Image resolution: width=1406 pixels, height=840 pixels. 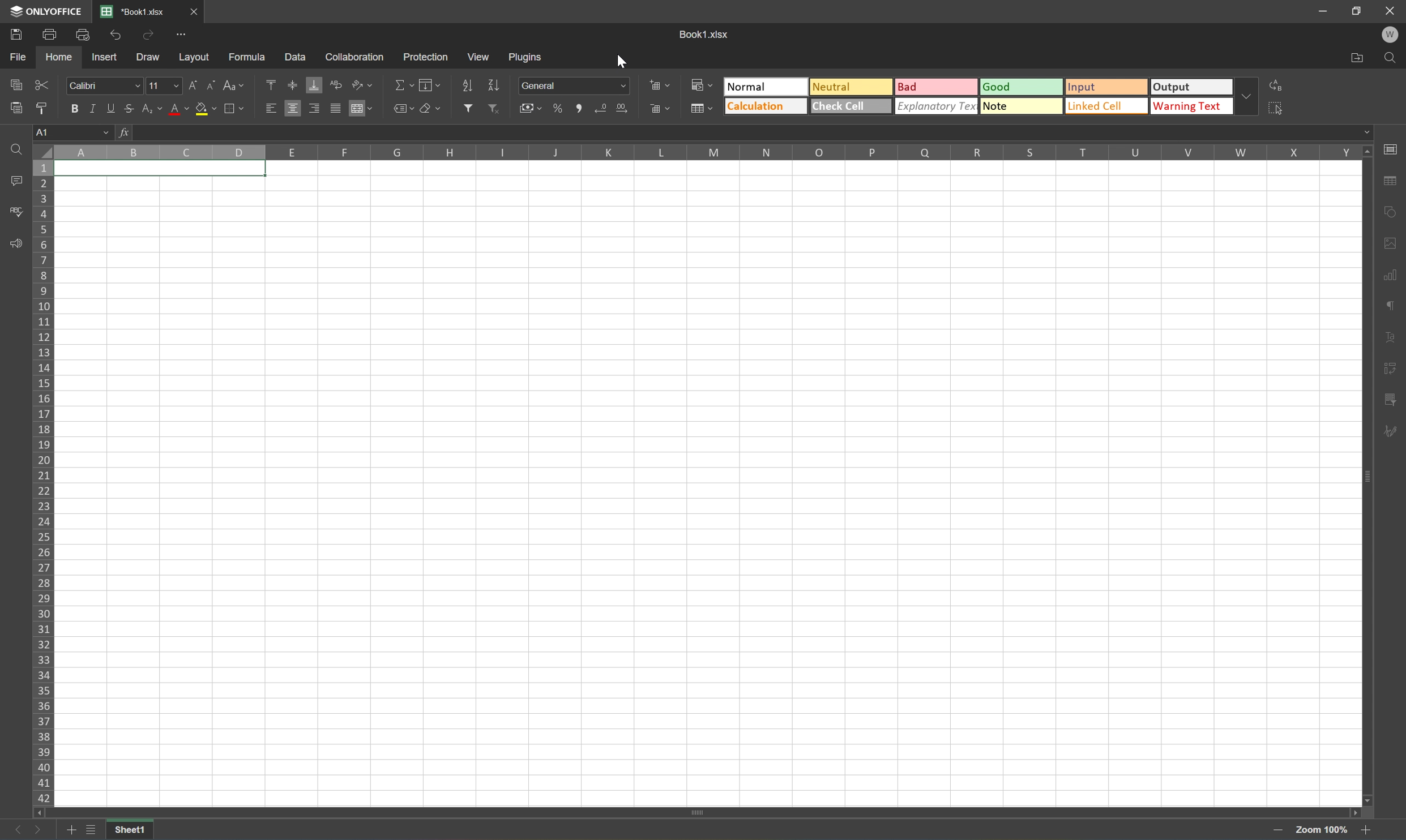 What do you see at coordinates (11, 831) in the screenshot?
I see `Previous` at bounding box center [11, 831].